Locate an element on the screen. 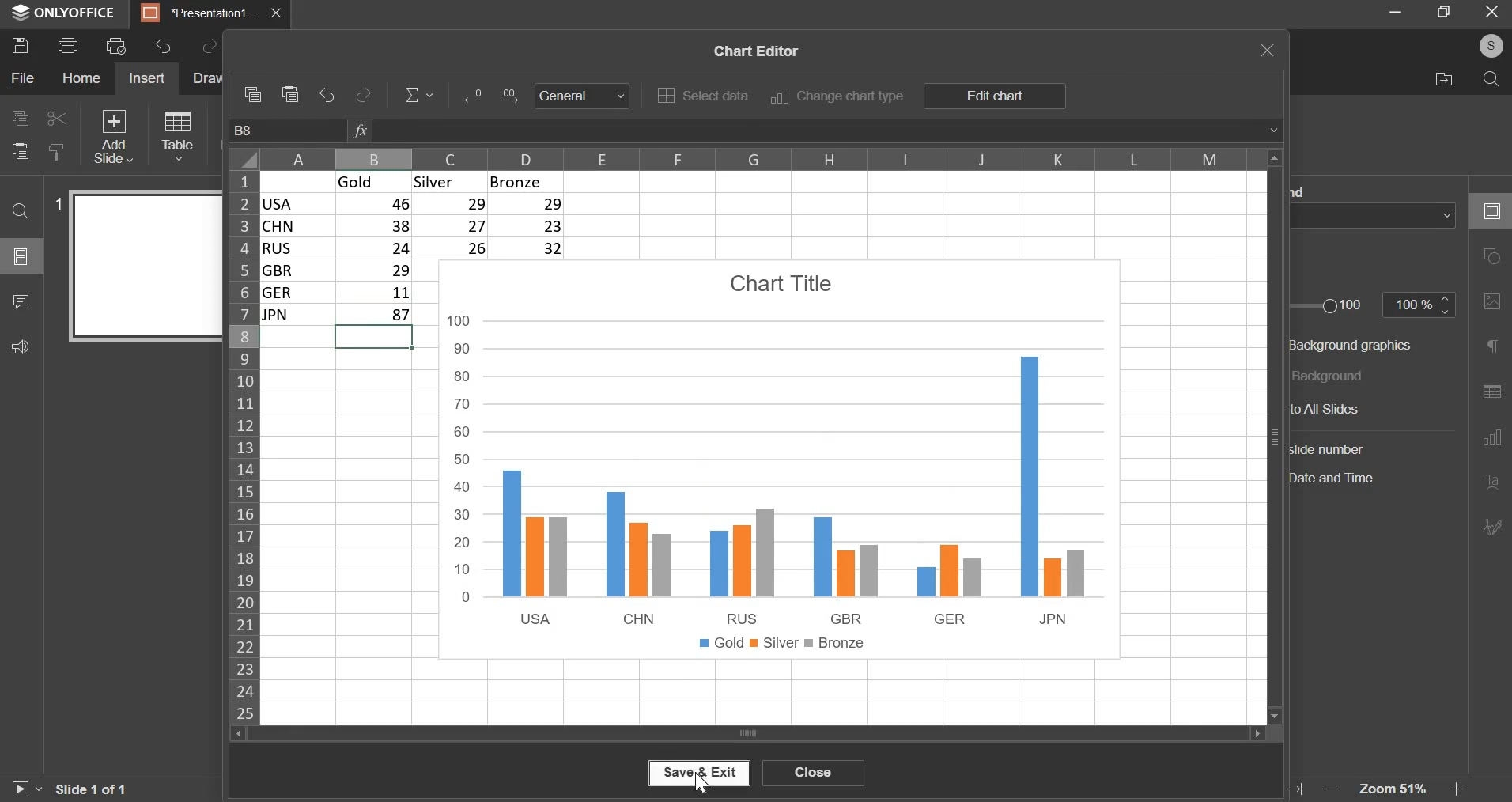 This screenshot has width=1512, height=802. chart is located at coordinates (780, 486).